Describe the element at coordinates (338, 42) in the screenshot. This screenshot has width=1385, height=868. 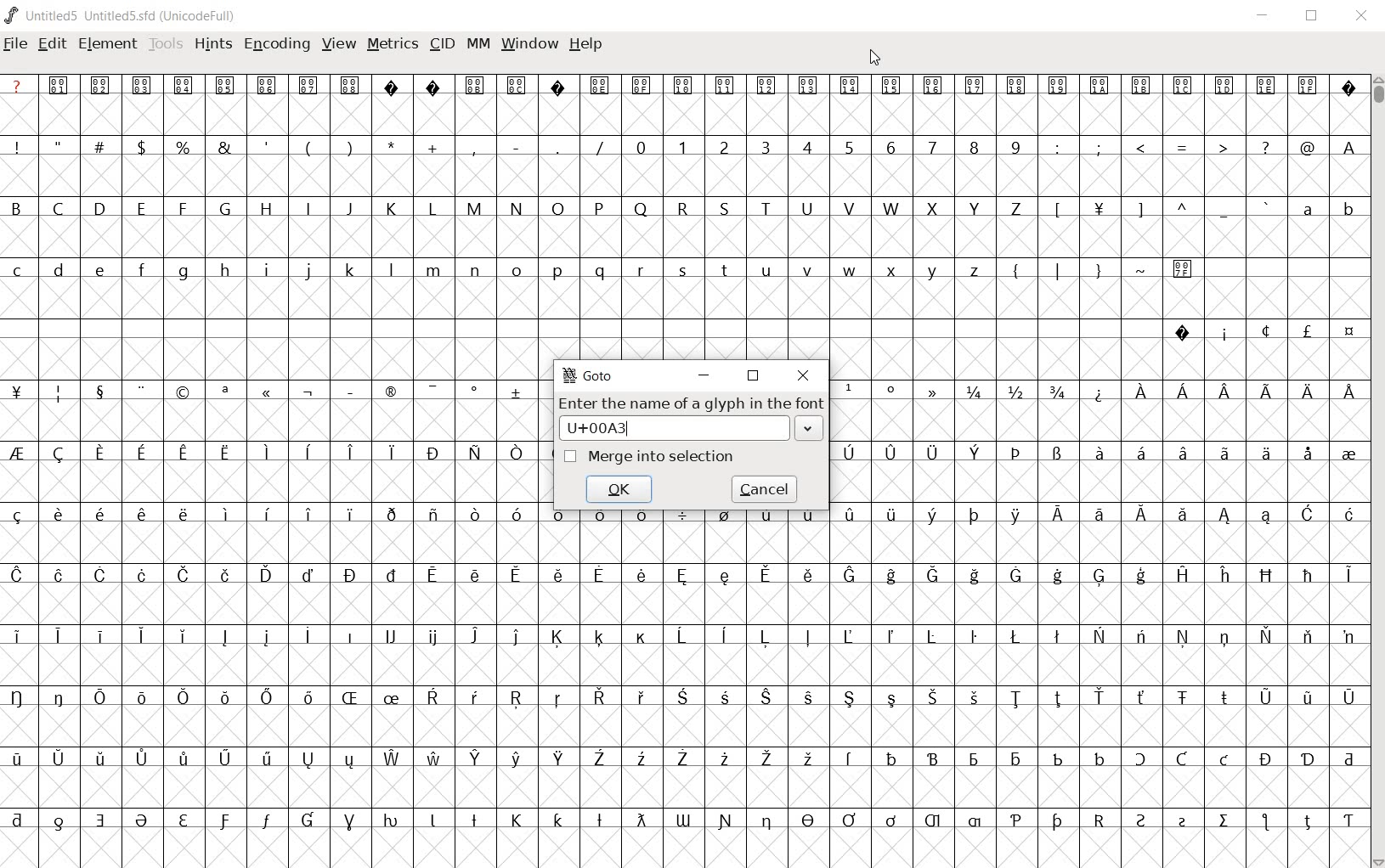
I see `VIEW` at that location.